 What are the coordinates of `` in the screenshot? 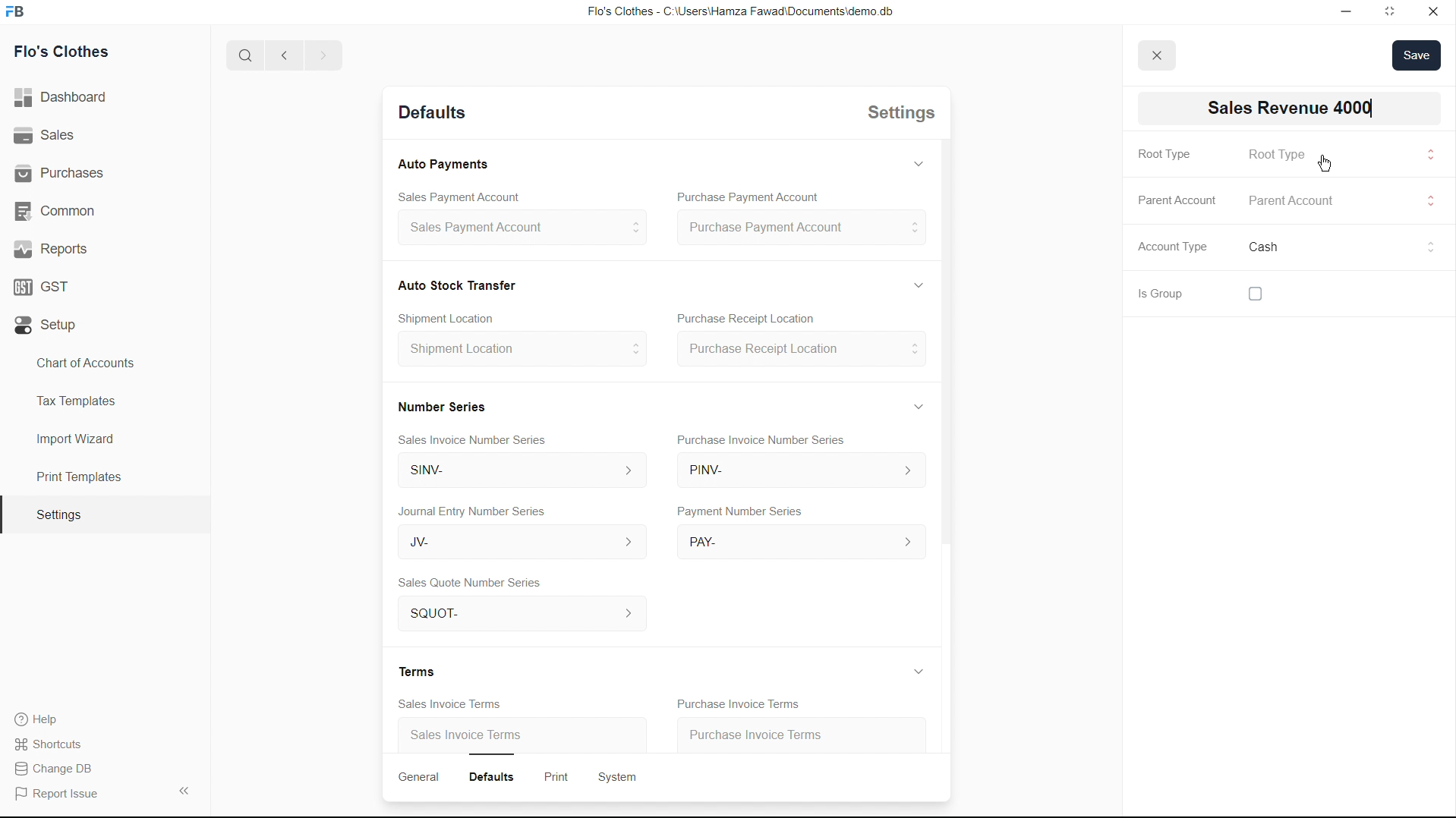 It's located at (1427, 200).